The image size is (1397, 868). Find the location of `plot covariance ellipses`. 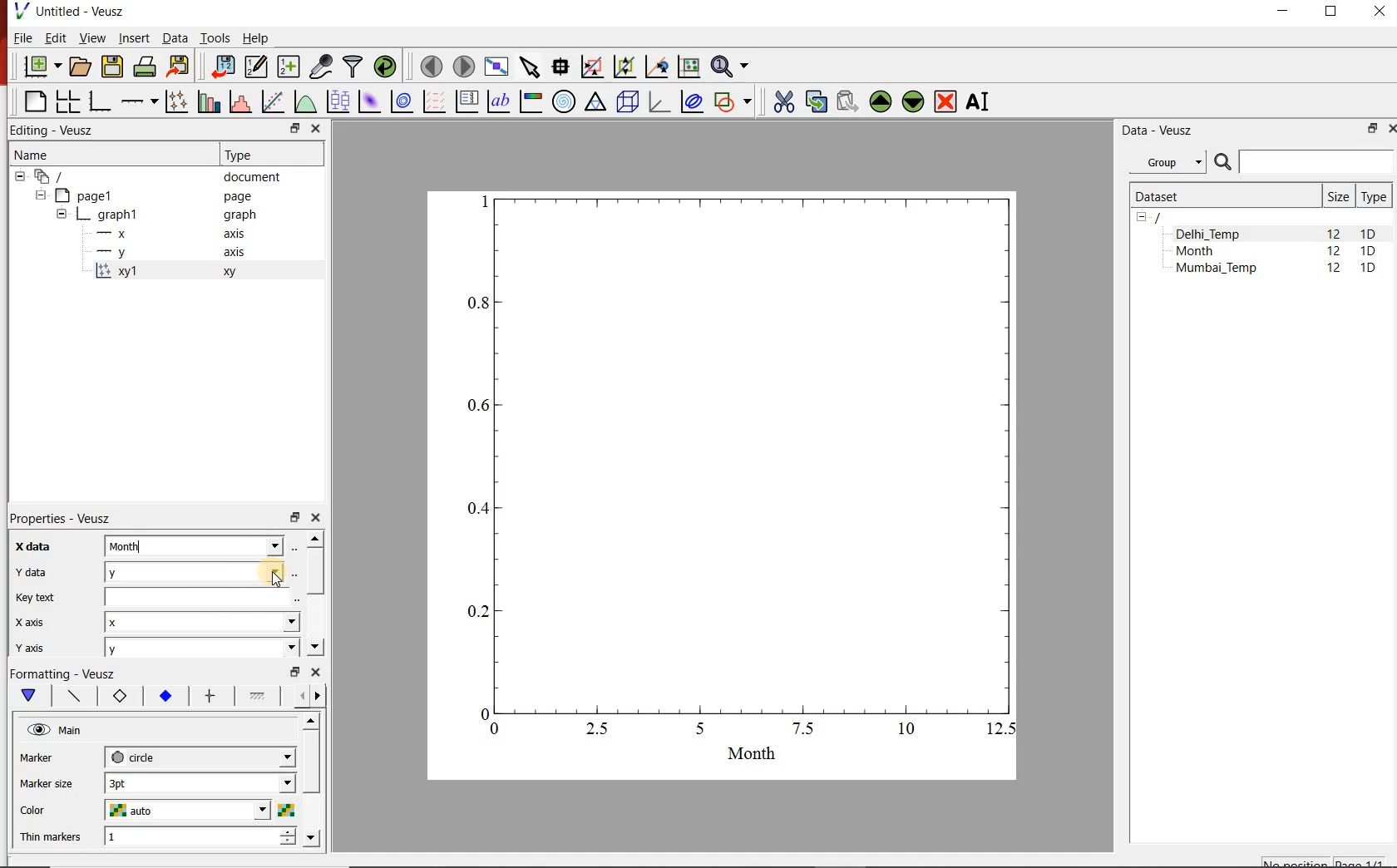

plot covariance ellipses is located at coordinates (692, 101).